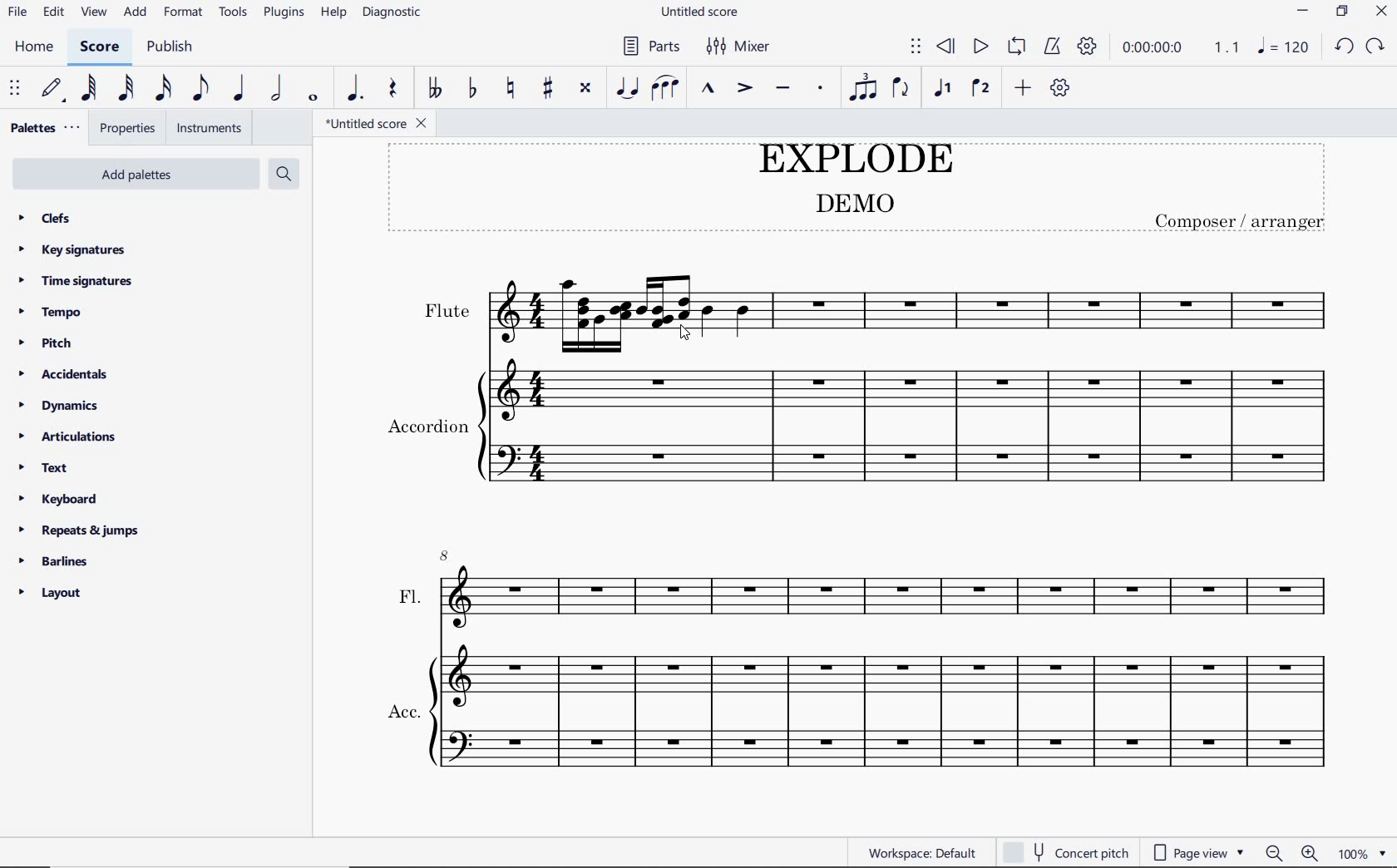 This screenshot has width=1397, height=868. Describe the element at coordinates (61, 404) in the screenshot. I see `dynamics` at that location.